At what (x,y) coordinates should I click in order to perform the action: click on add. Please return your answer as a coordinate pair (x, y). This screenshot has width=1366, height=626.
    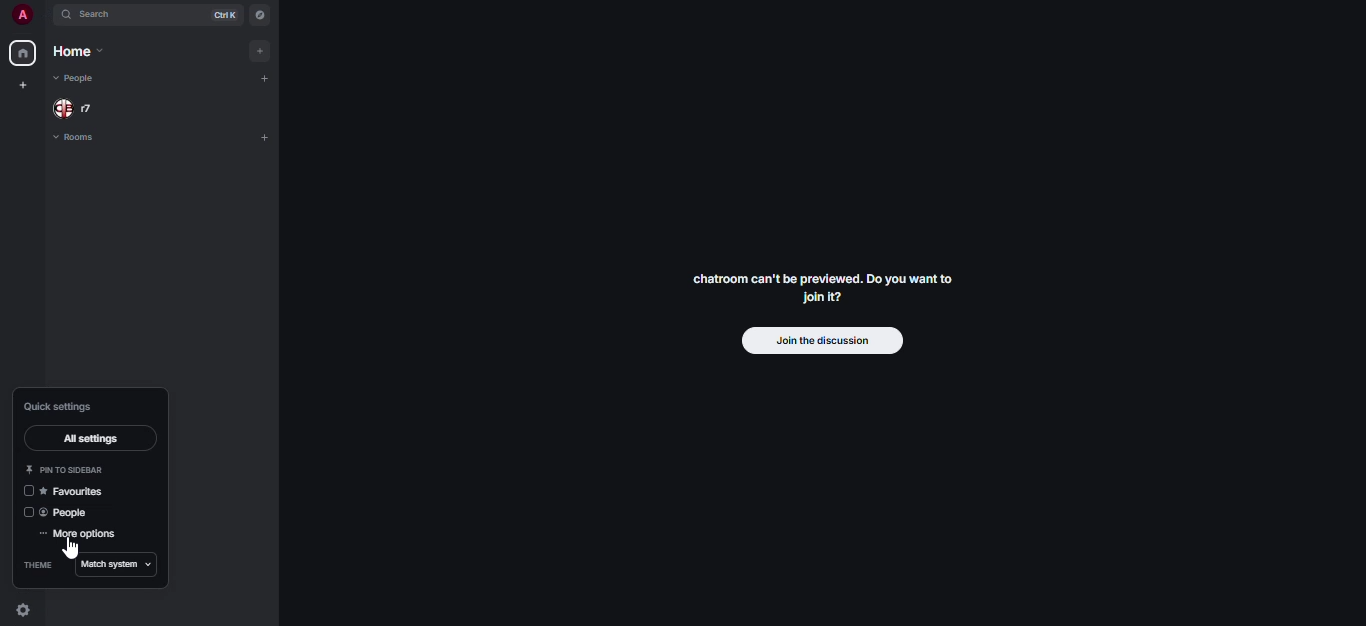
    Looking at the image, I should click on (262, 75).